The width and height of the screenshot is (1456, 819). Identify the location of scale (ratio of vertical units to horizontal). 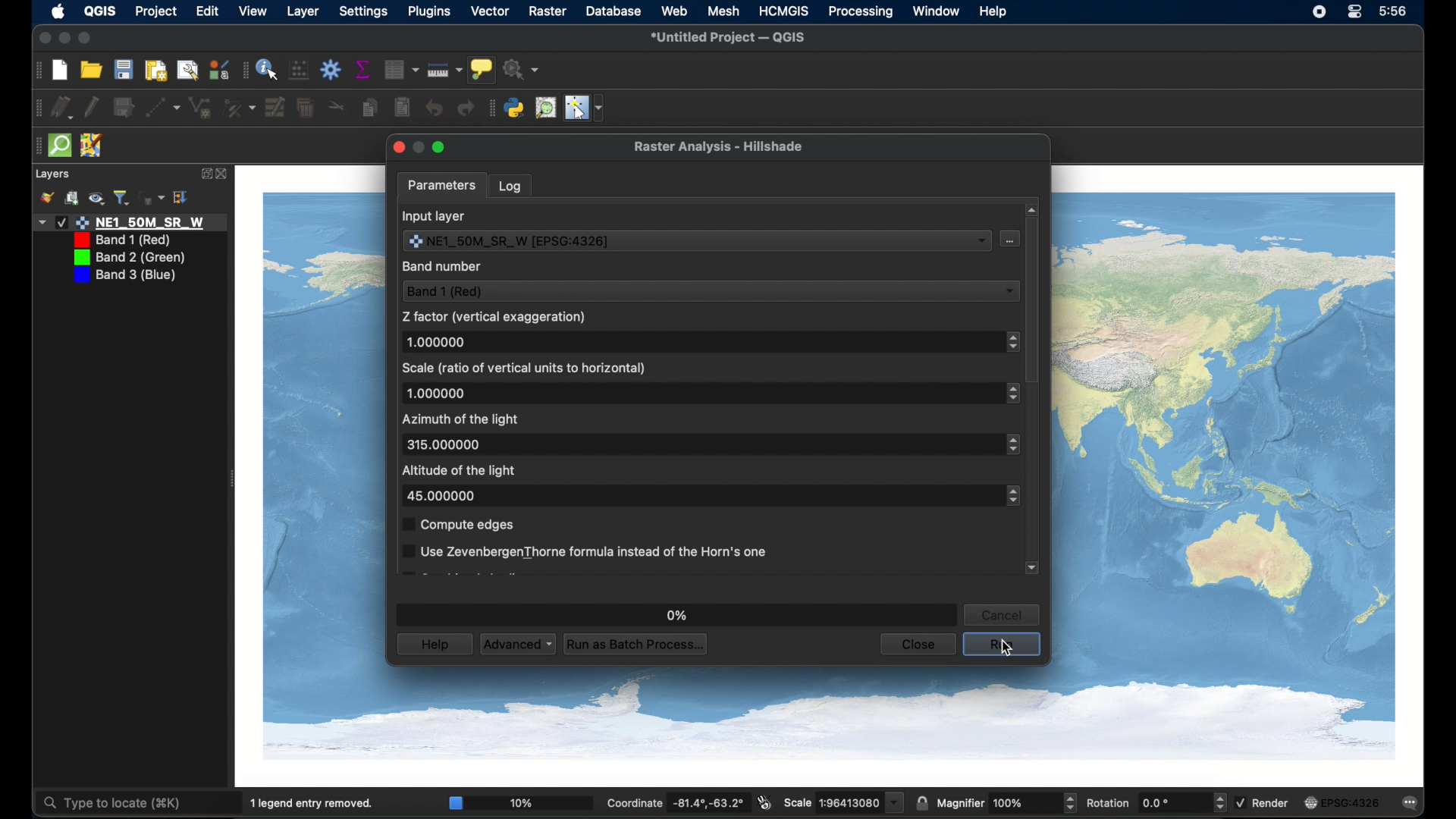
(527, 369).